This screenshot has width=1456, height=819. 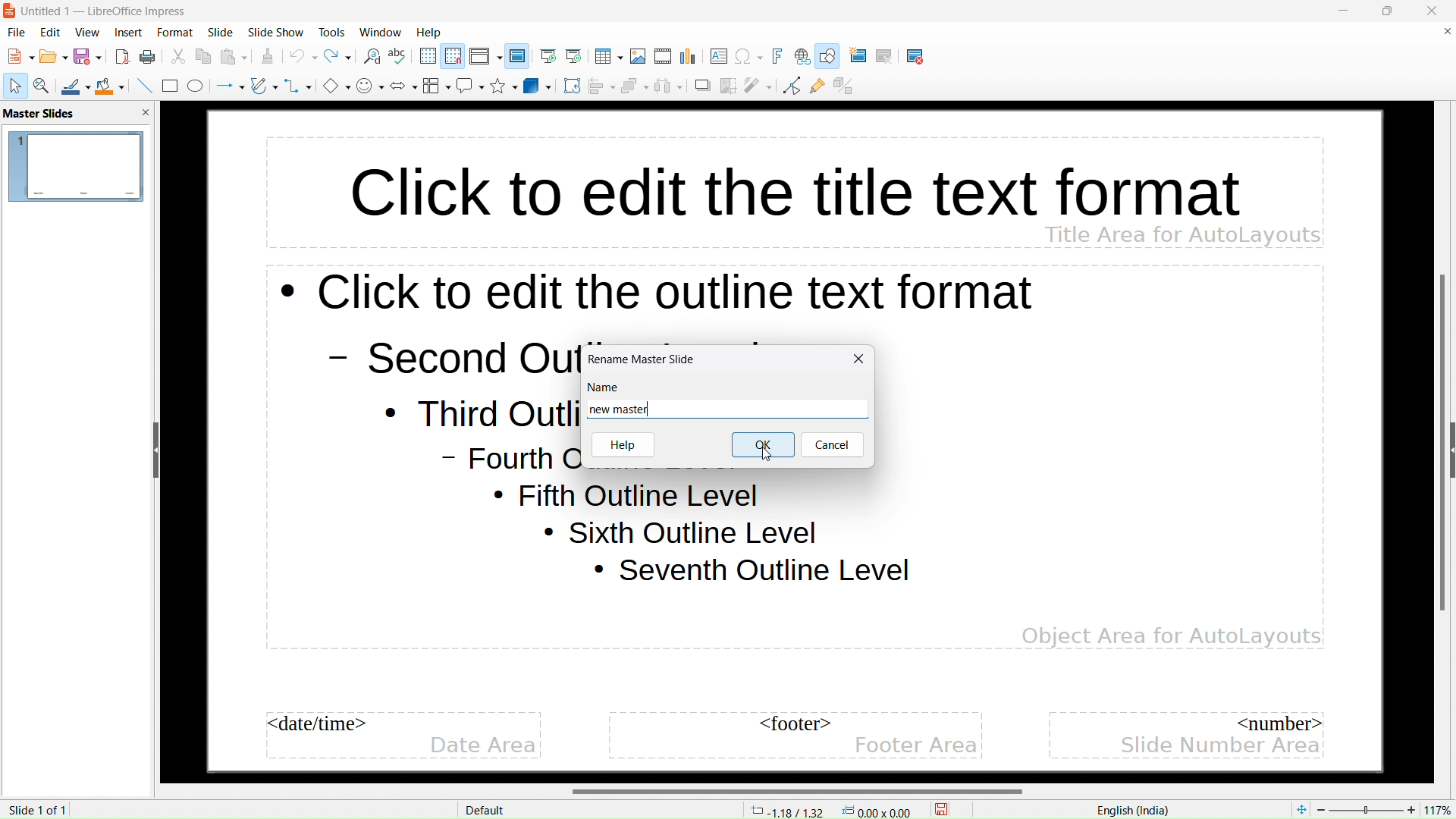 What do you see at coordinates (303, 56) in the screenshot?
I see `undo` at bounding box center [303, 56].